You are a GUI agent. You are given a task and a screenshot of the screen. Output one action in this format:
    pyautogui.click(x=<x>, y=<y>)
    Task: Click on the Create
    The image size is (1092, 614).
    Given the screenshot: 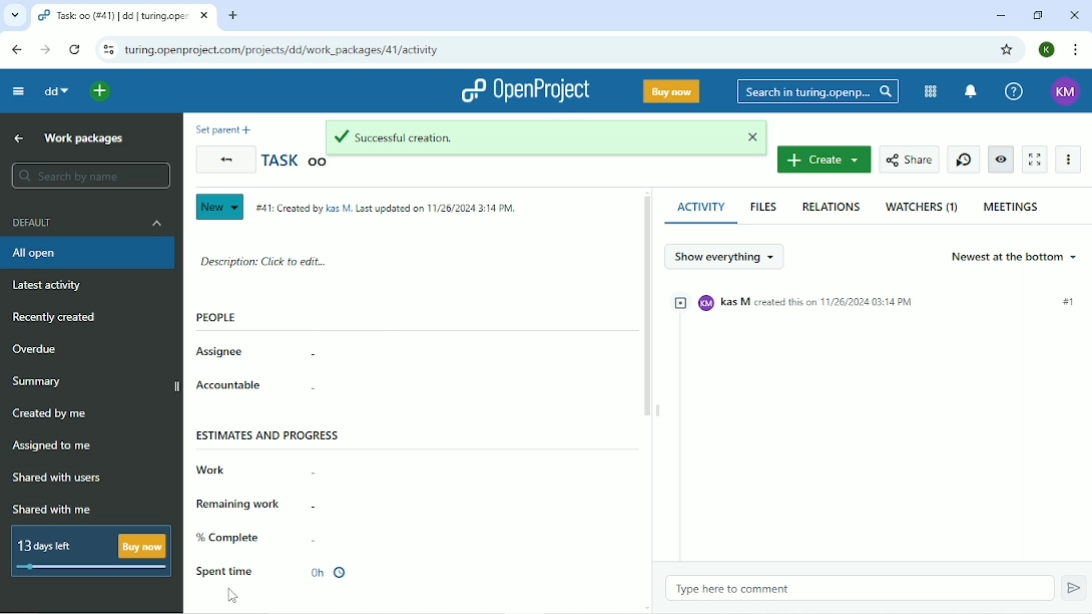 What is the action you would take?
    pyautogui.click(x=825, y=160)
    